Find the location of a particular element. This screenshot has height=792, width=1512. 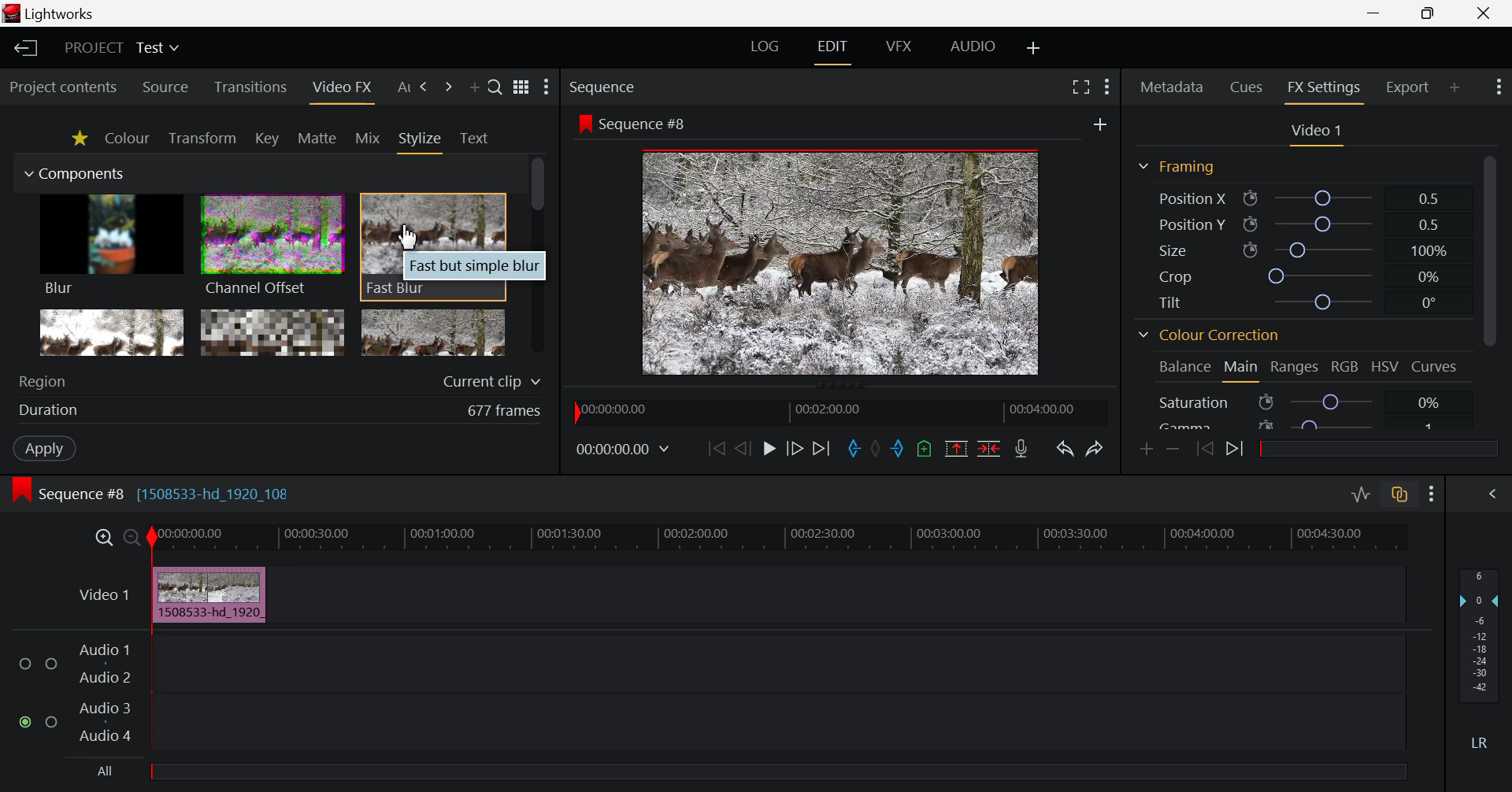

Blur is located at coordinates (113, 246).